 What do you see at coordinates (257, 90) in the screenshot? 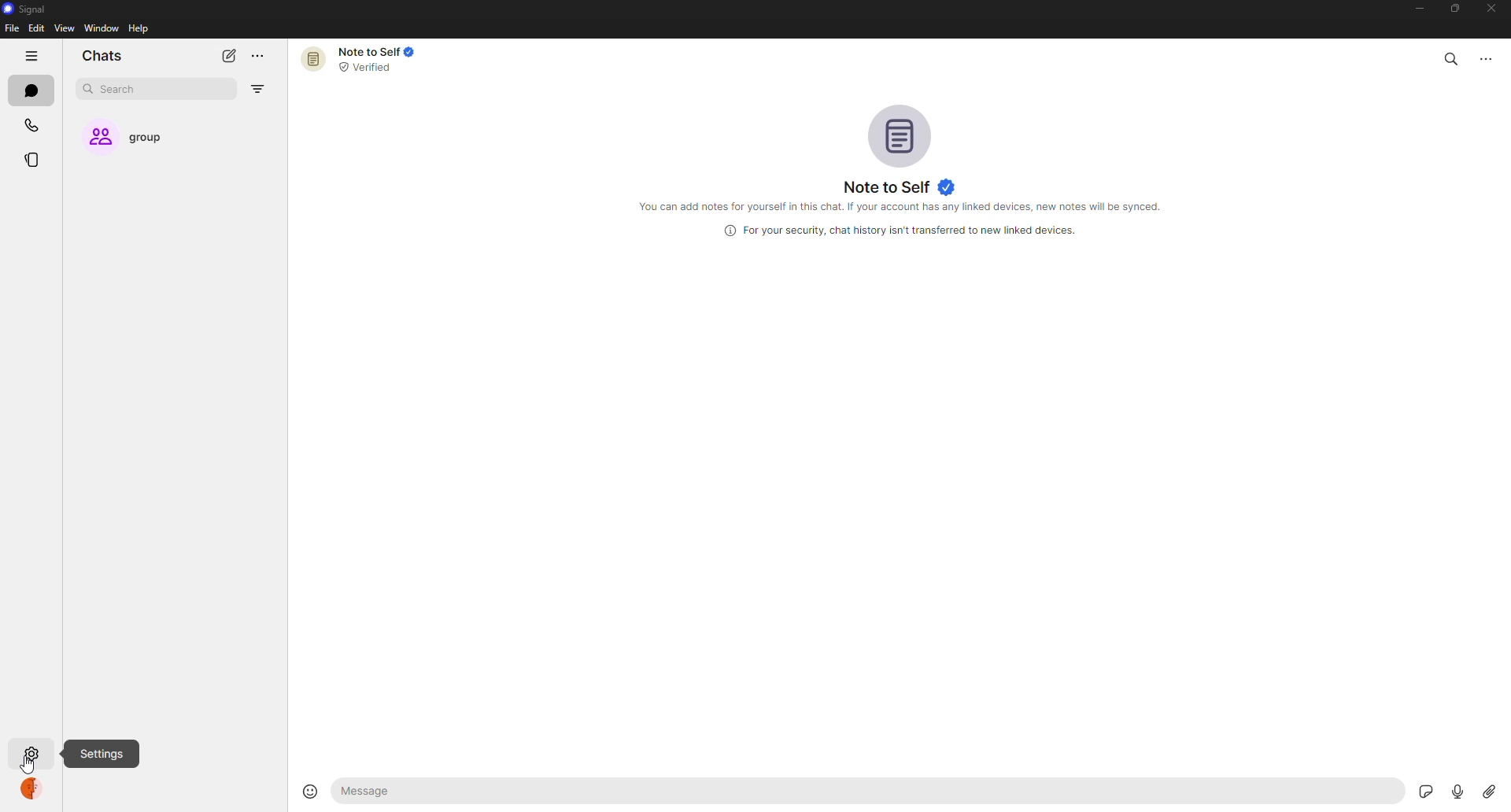
I see `filter` at bounding box center [257, 90].